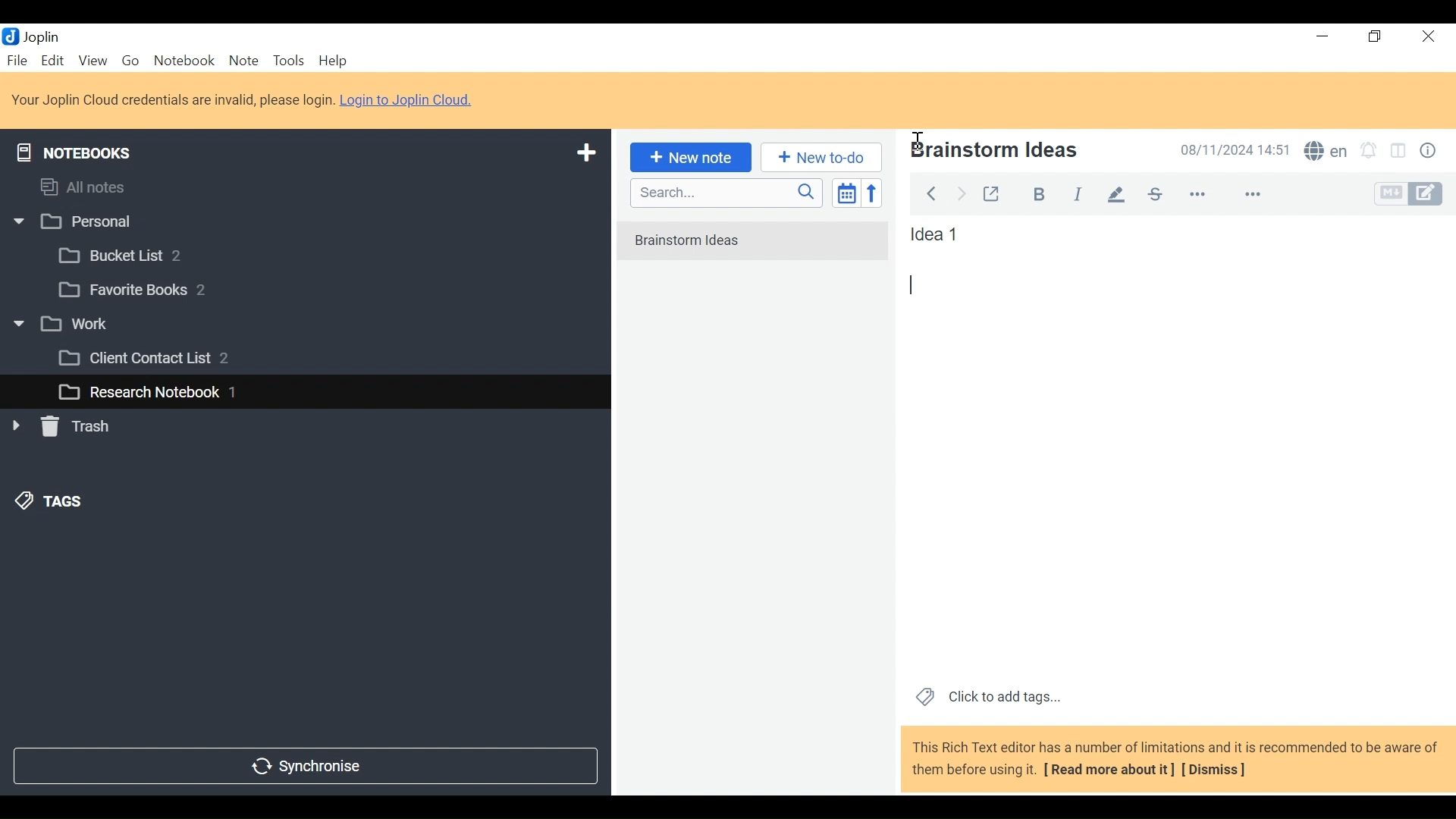  What do you see at coordinates (1231, 149) in the screenshot?
I see `Date and Time` at bounding box center [1231, 149].